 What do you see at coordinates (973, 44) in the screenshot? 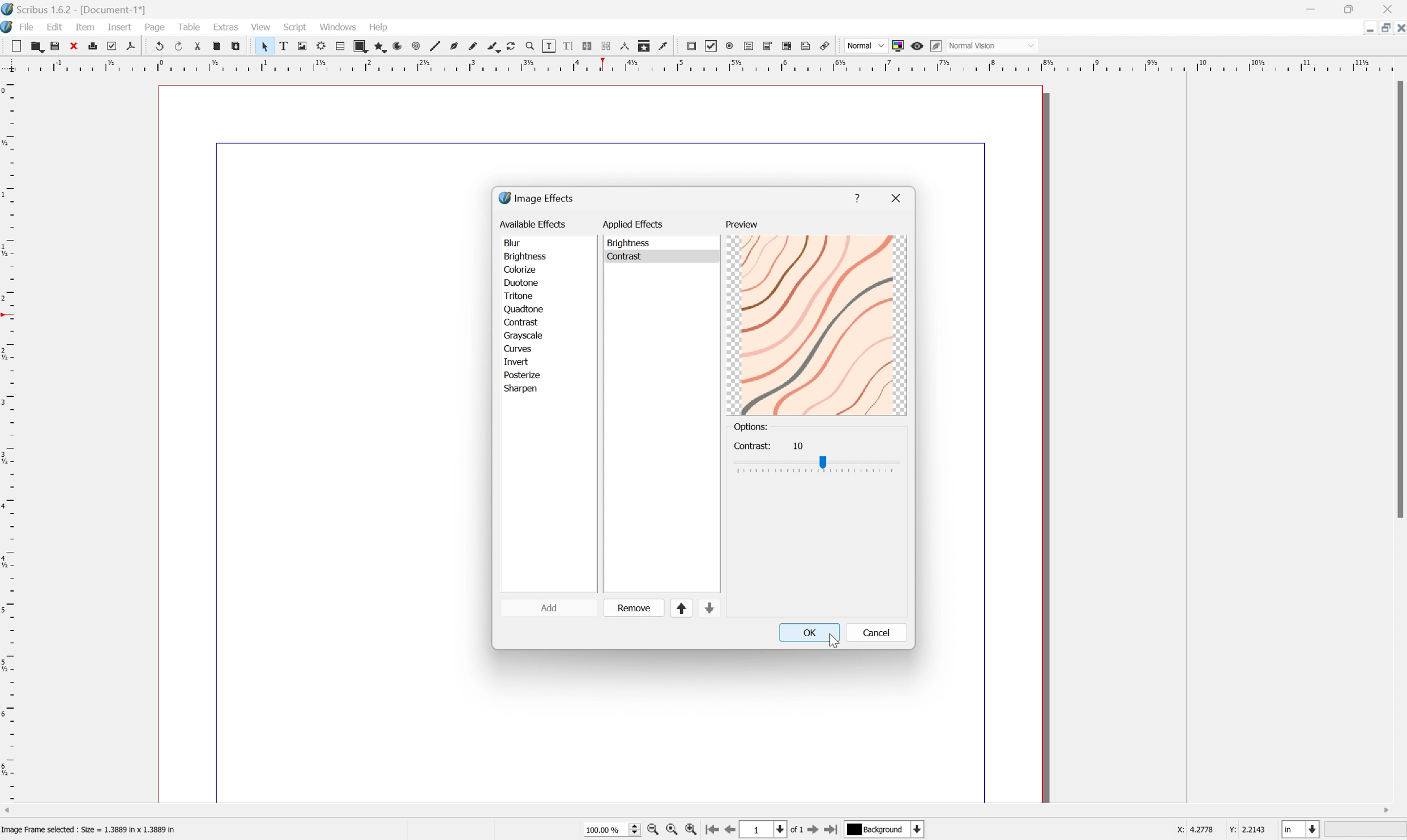
I see `normal vision` at bounding box center [973, 44].